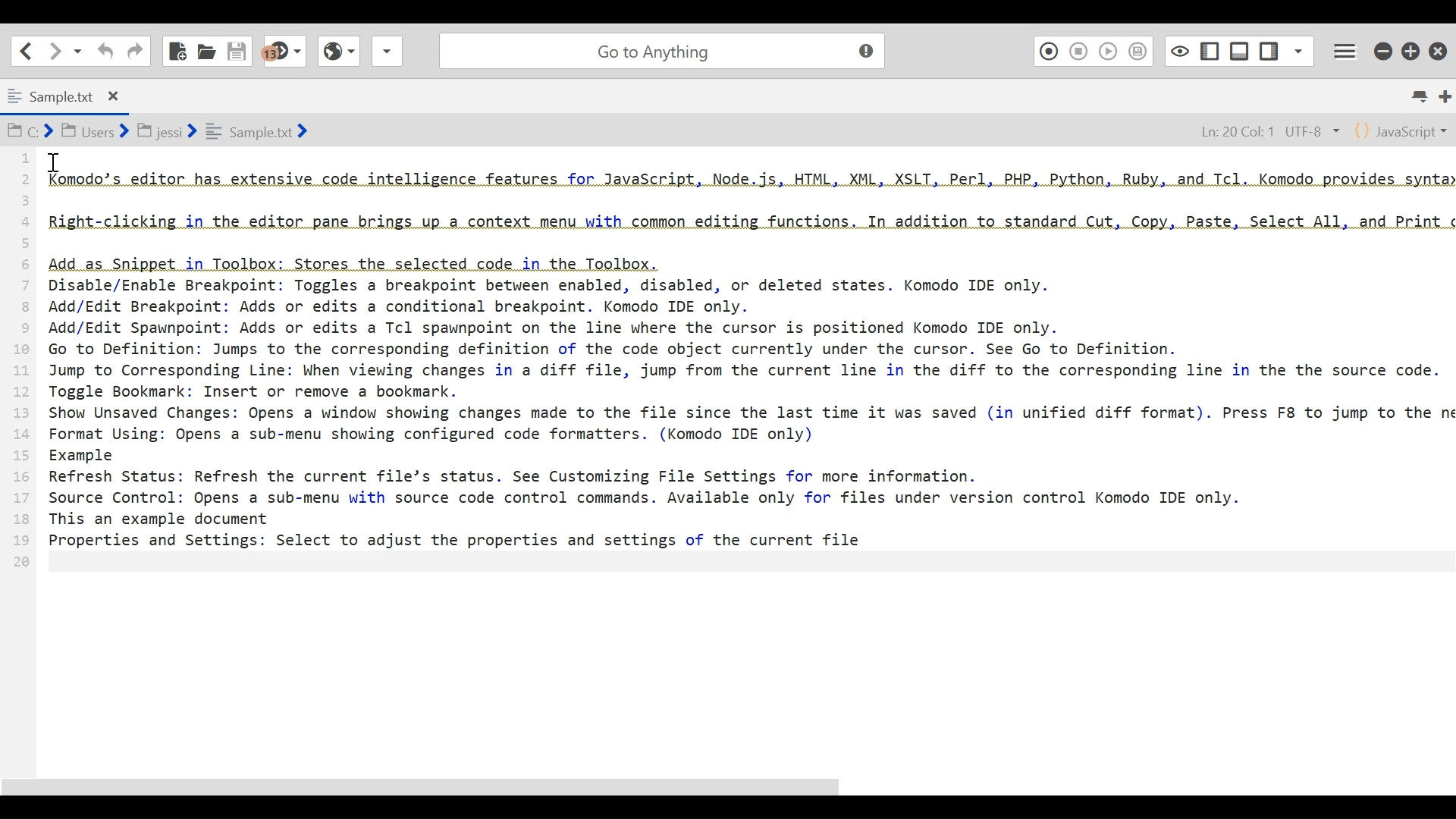 This screenshot has width=1456, height=819. What do you see at coordinates (1141, 50) in the screenshot?
I see `Save Macro to Toolboz as Superscript` at bounding box center [1141, 50].